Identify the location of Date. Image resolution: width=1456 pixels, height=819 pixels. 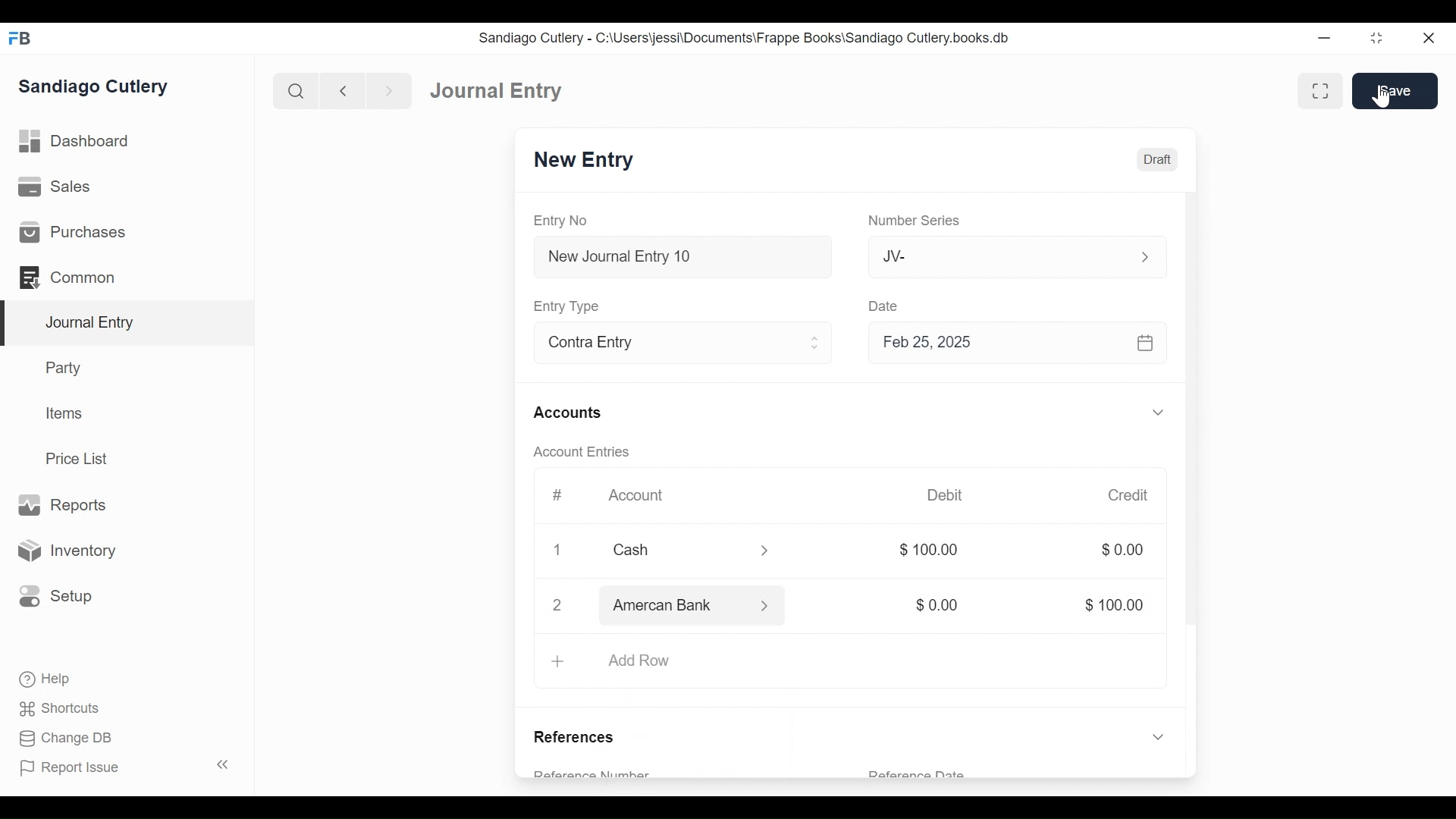
(886, 306).